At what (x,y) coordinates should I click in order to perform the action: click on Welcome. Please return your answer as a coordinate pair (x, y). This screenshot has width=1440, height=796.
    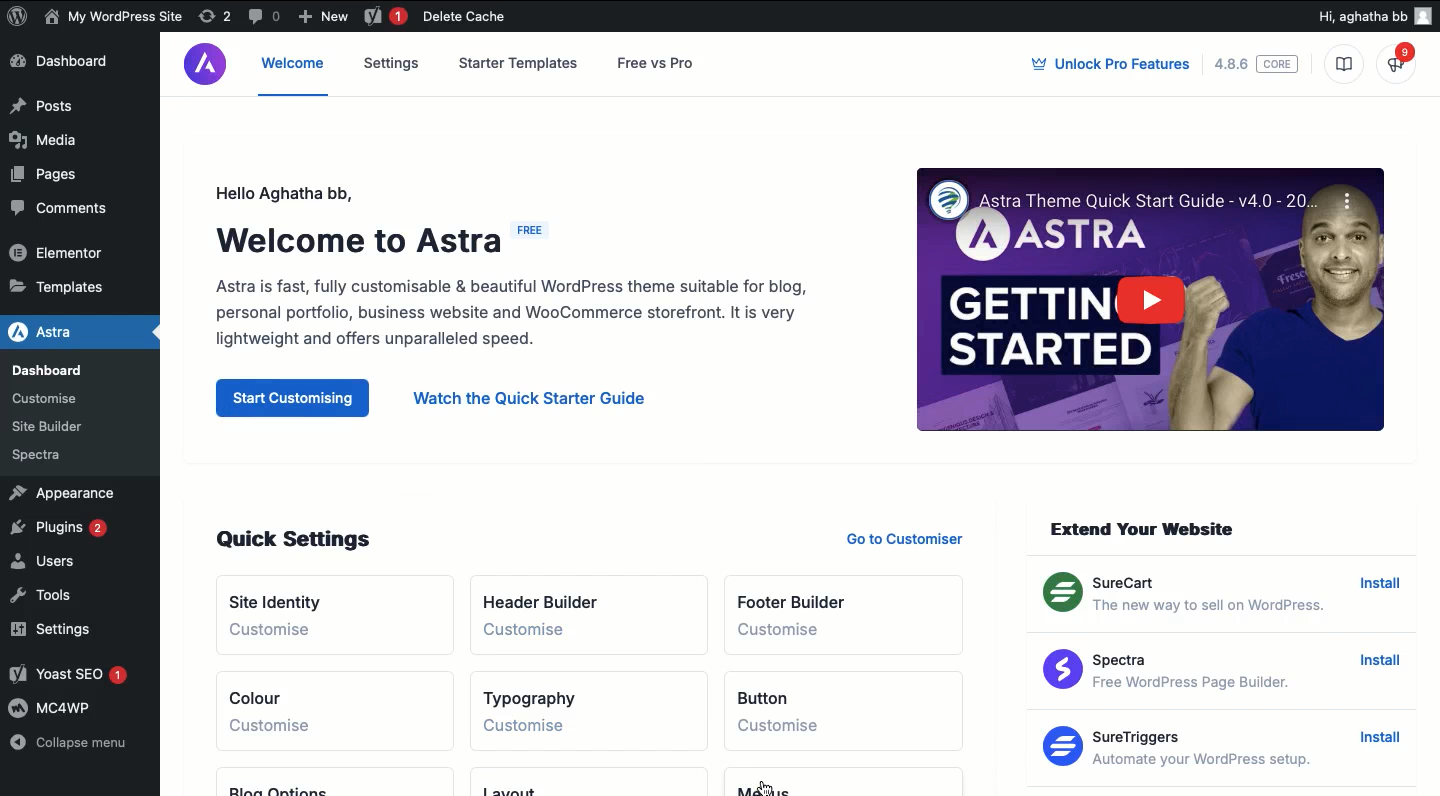
    Looking at the image, I should click on (294, 73).